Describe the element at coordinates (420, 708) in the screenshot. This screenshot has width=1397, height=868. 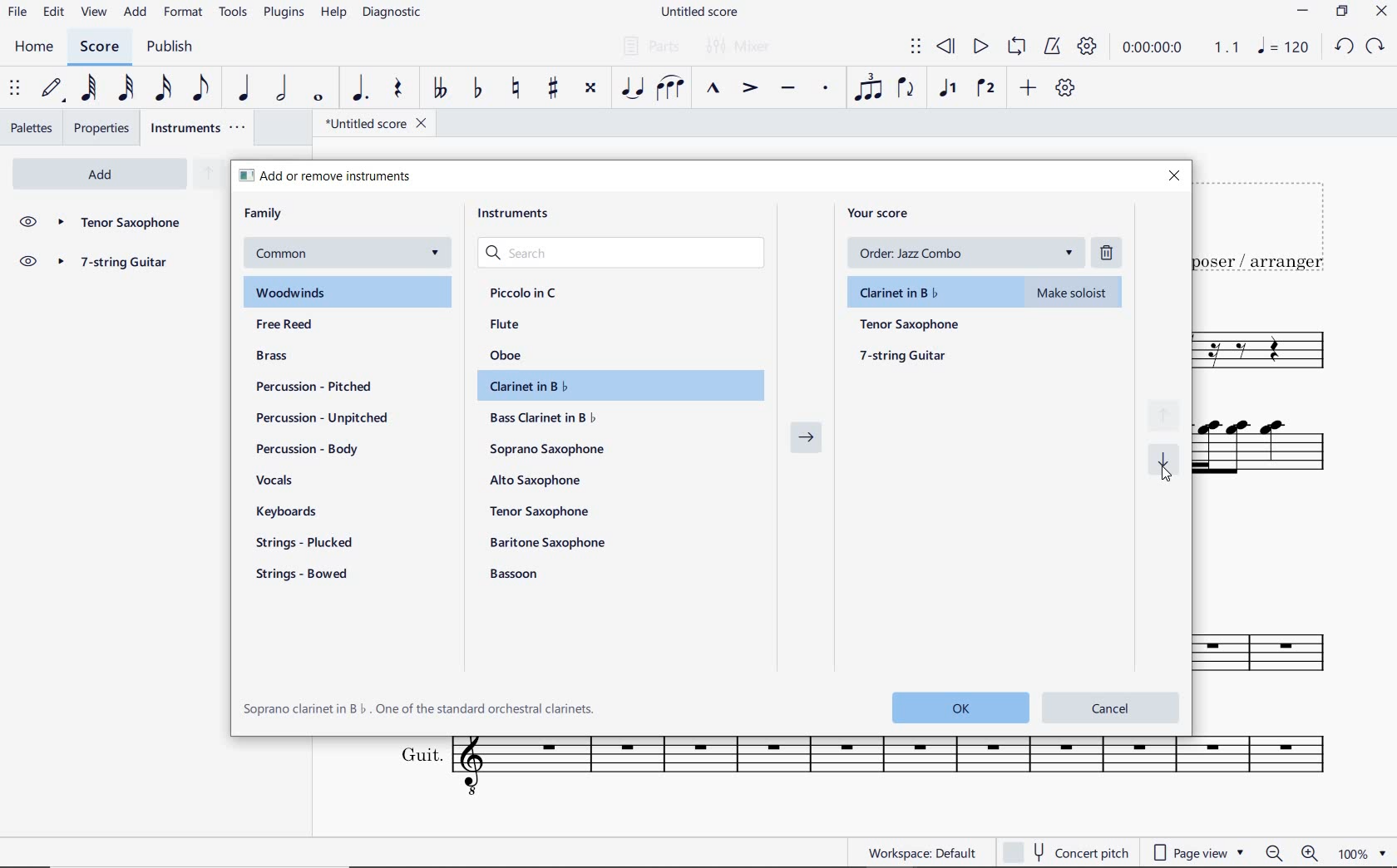
I see `information on Soprano clarinet` at that location.